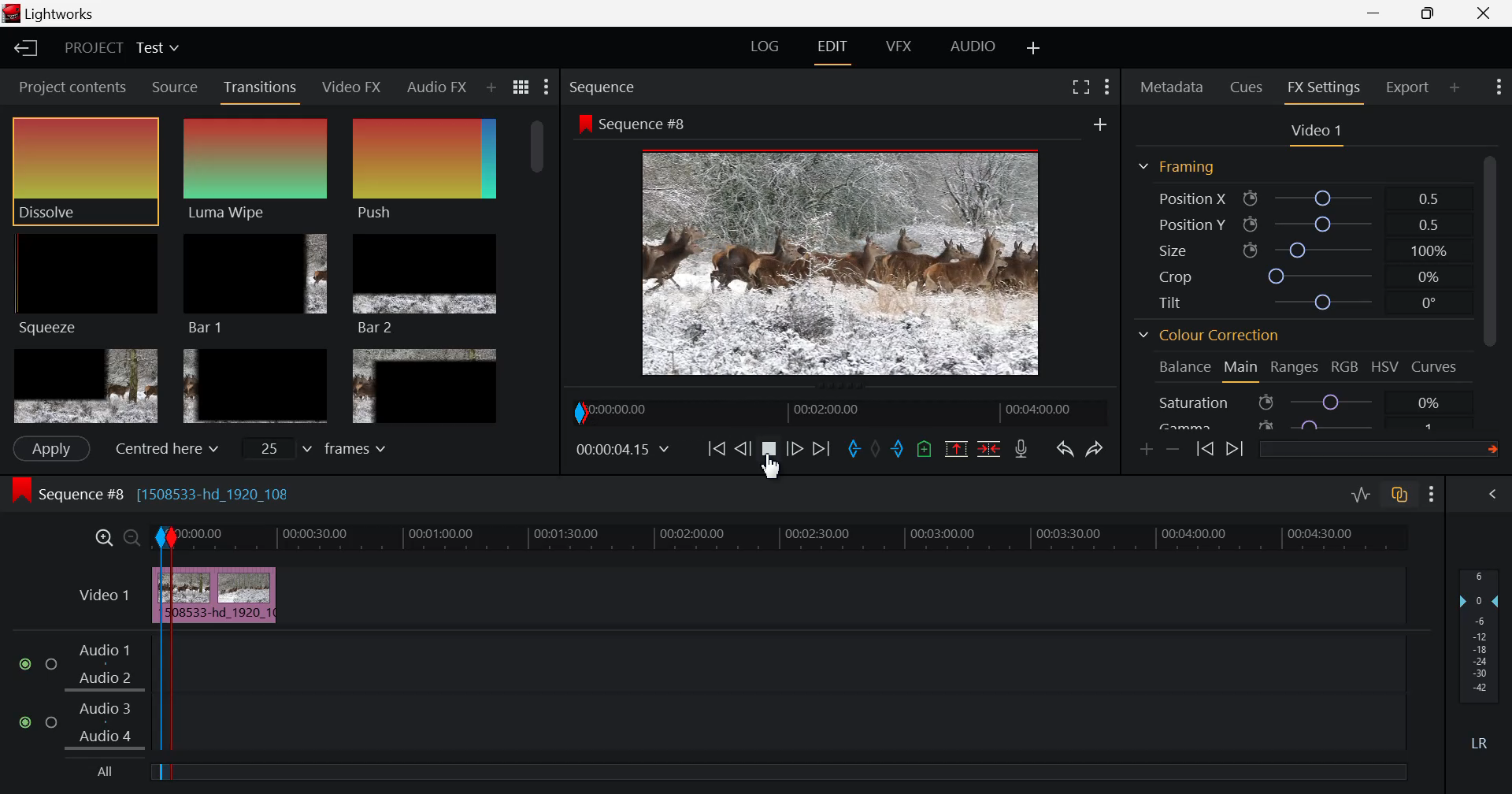 The image size is (1512, 794). What do you see at coordinates (20, 50) in the screenshot?
I see `Back to Homepage` at bounding box center [20, 50].